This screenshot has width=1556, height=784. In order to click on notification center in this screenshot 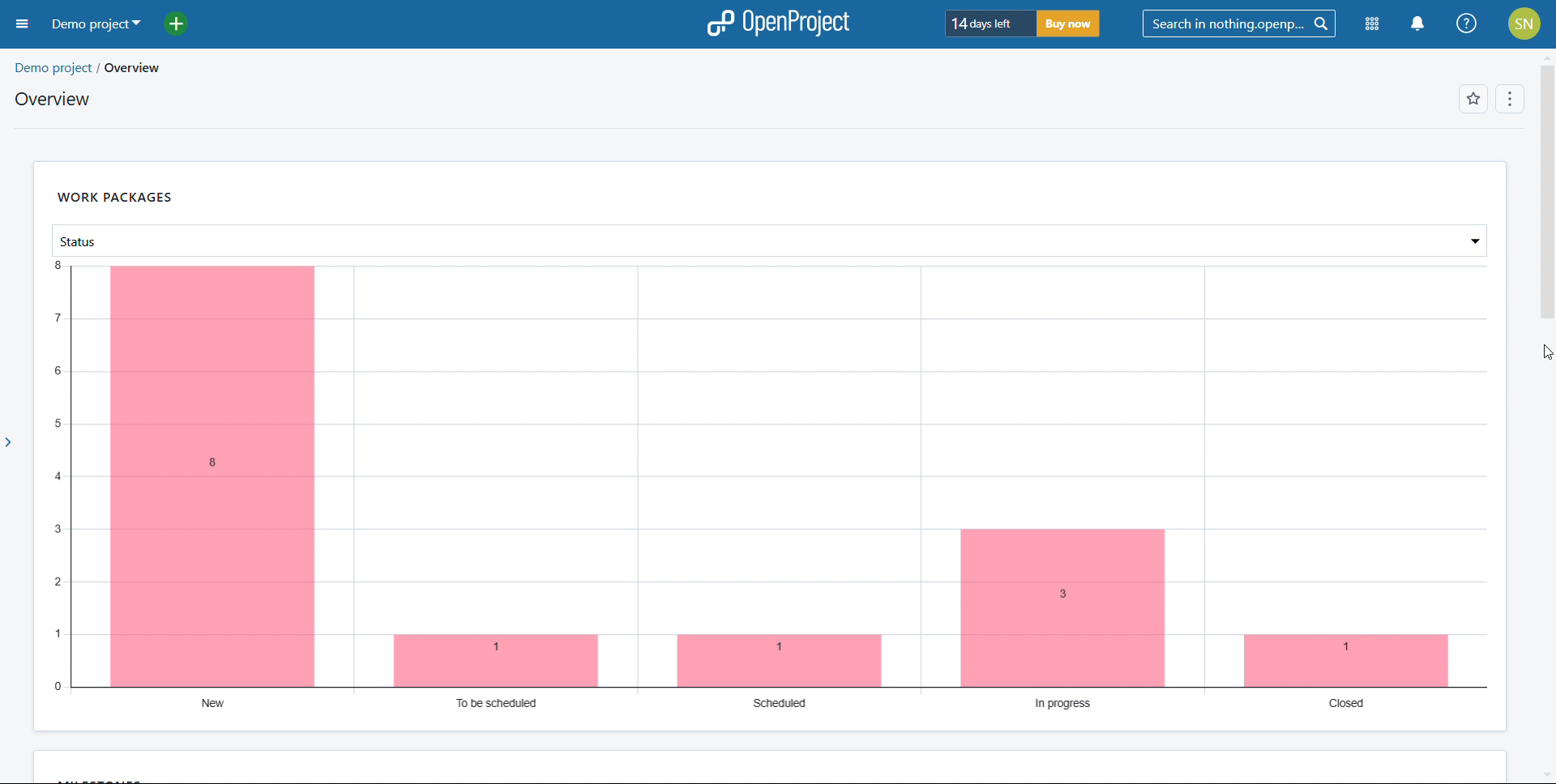, I will do `click(1416, 24)`.